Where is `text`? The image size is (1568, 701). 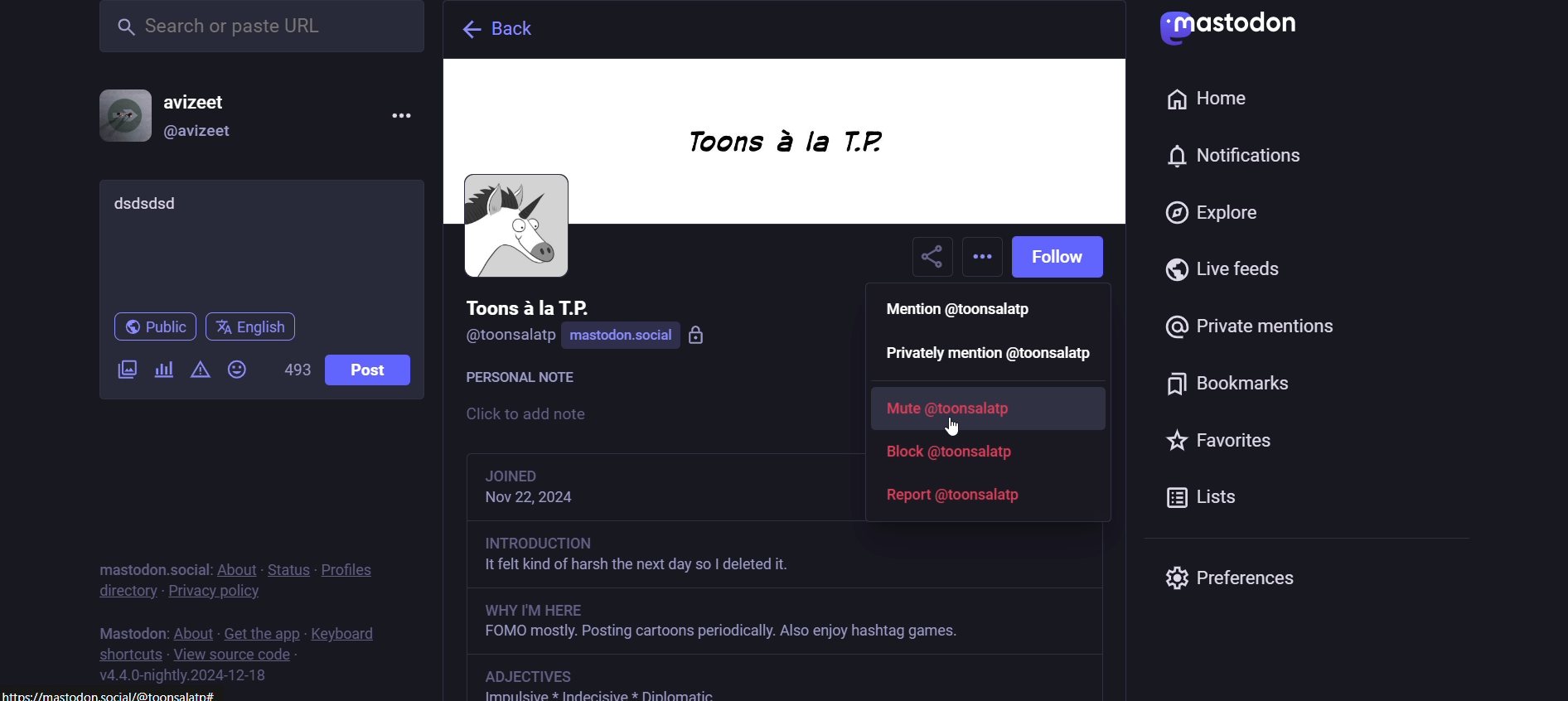 text is located at coordinates (150, 559).